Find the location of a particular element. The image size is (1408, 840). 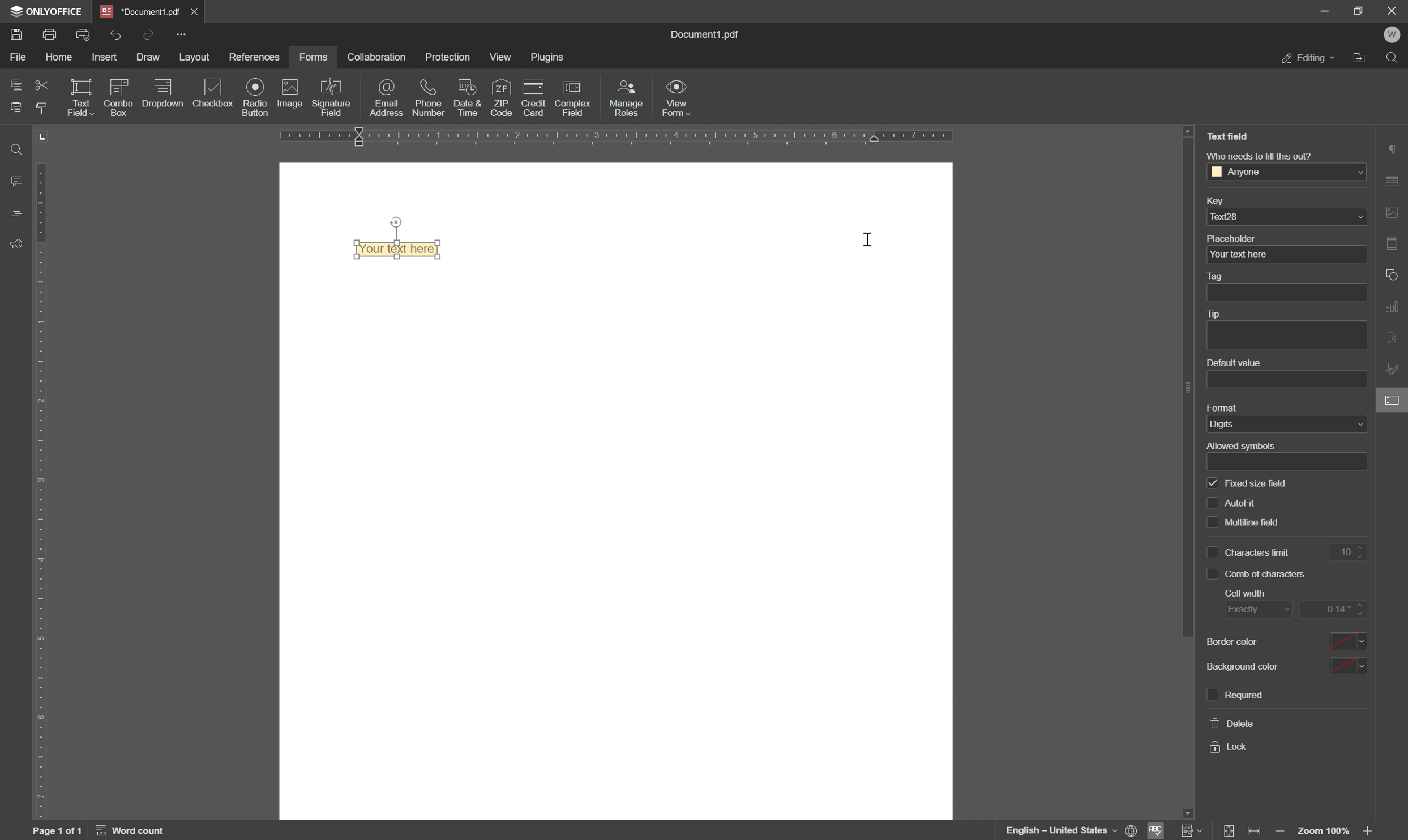

image settings is located at coordinates (1395, 213).